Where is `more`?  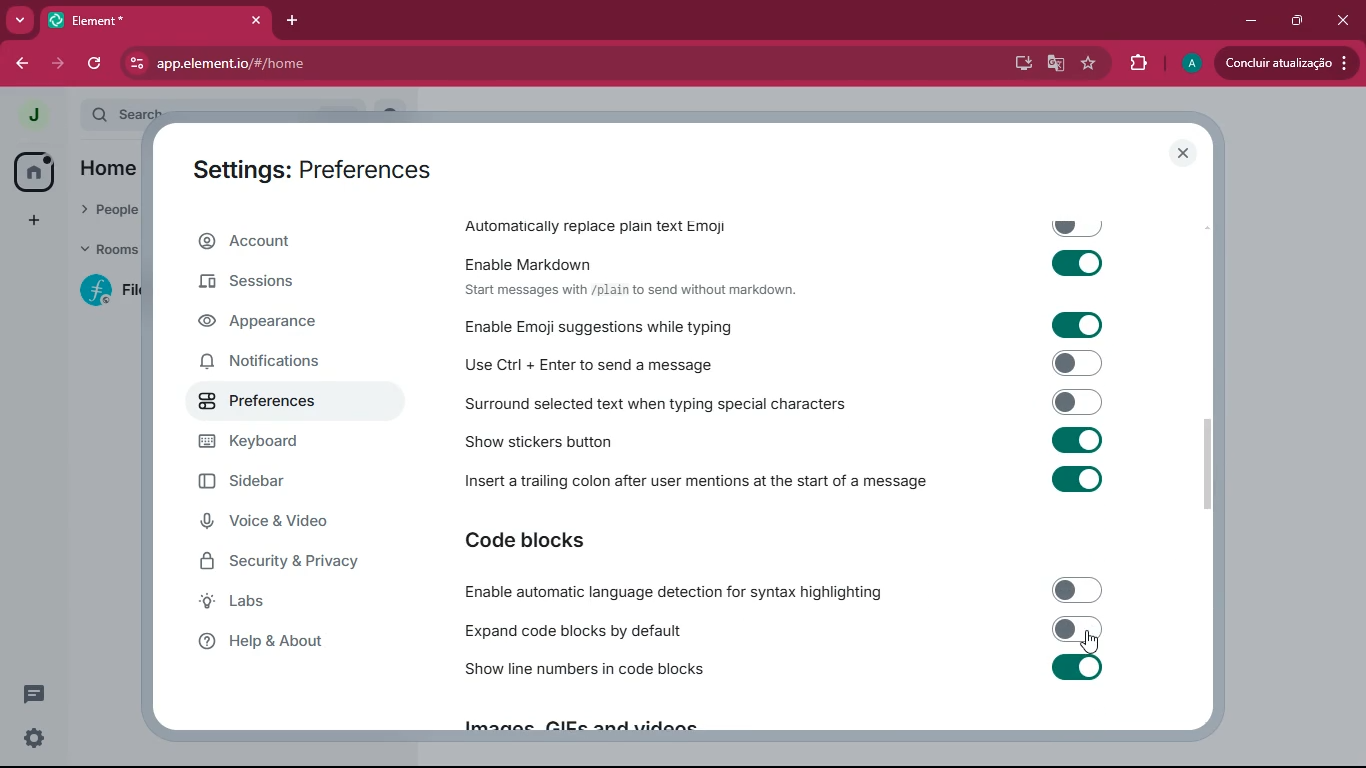
more is located at coordinates (21, 20).